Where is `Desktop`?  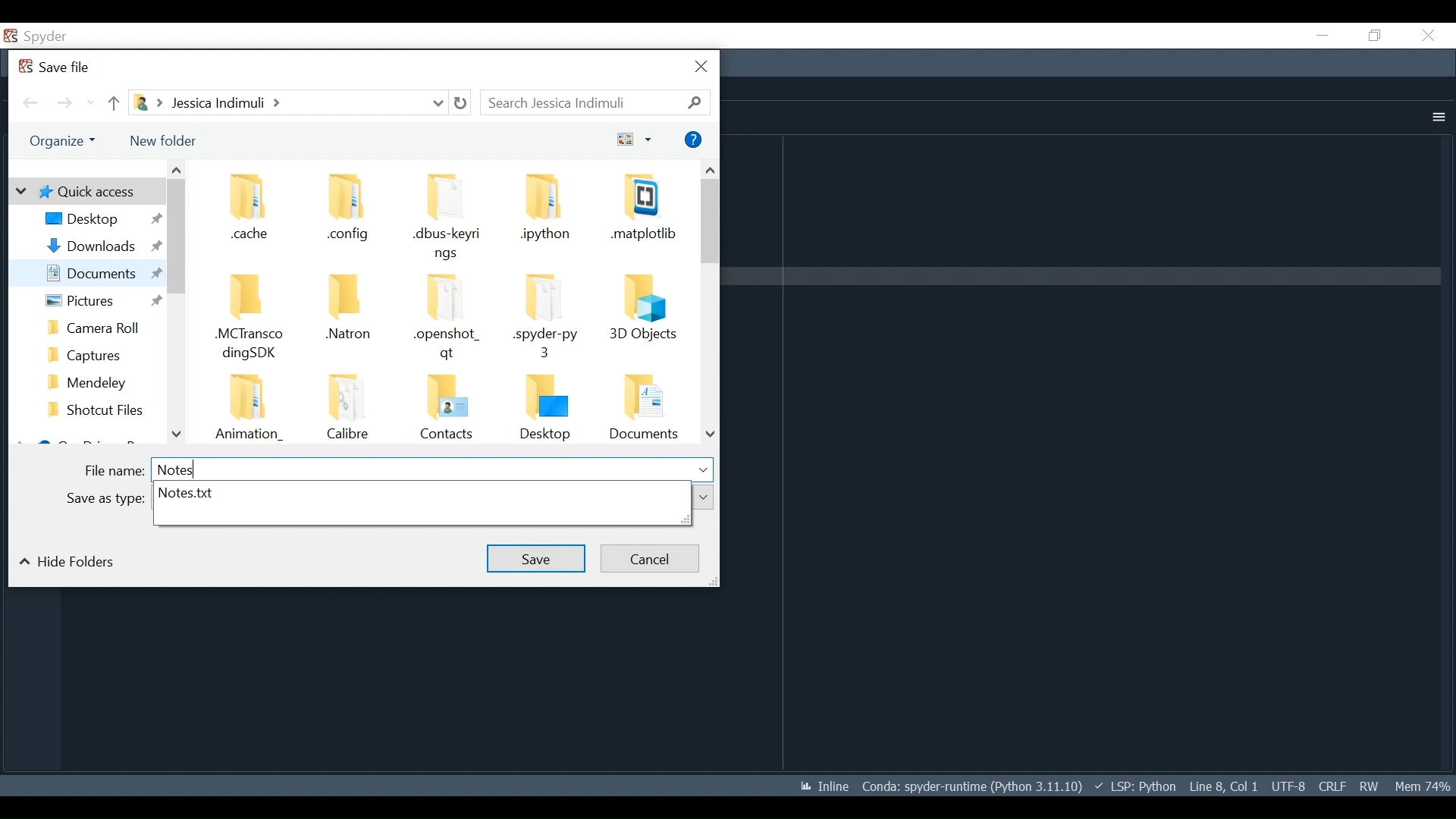
Desktop is located at coordinates (102, 218).